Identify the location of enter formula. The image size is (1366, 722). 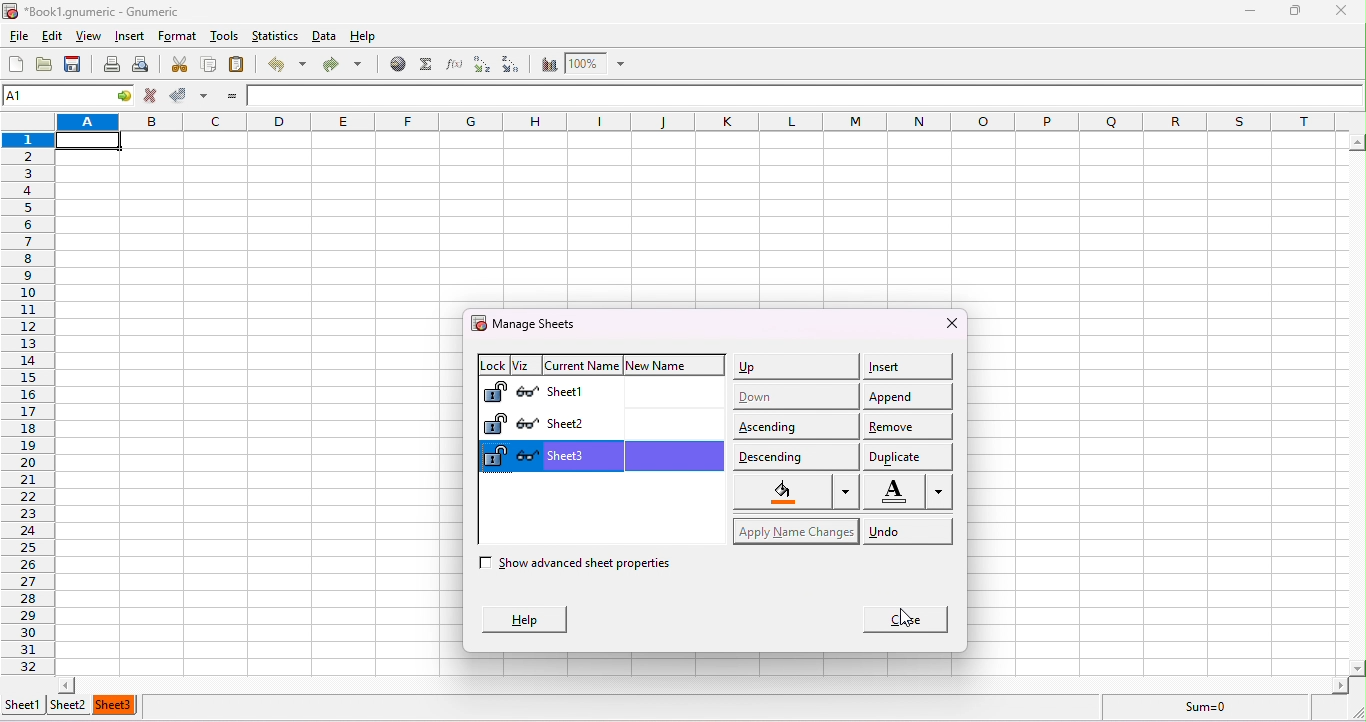
(228, 95).